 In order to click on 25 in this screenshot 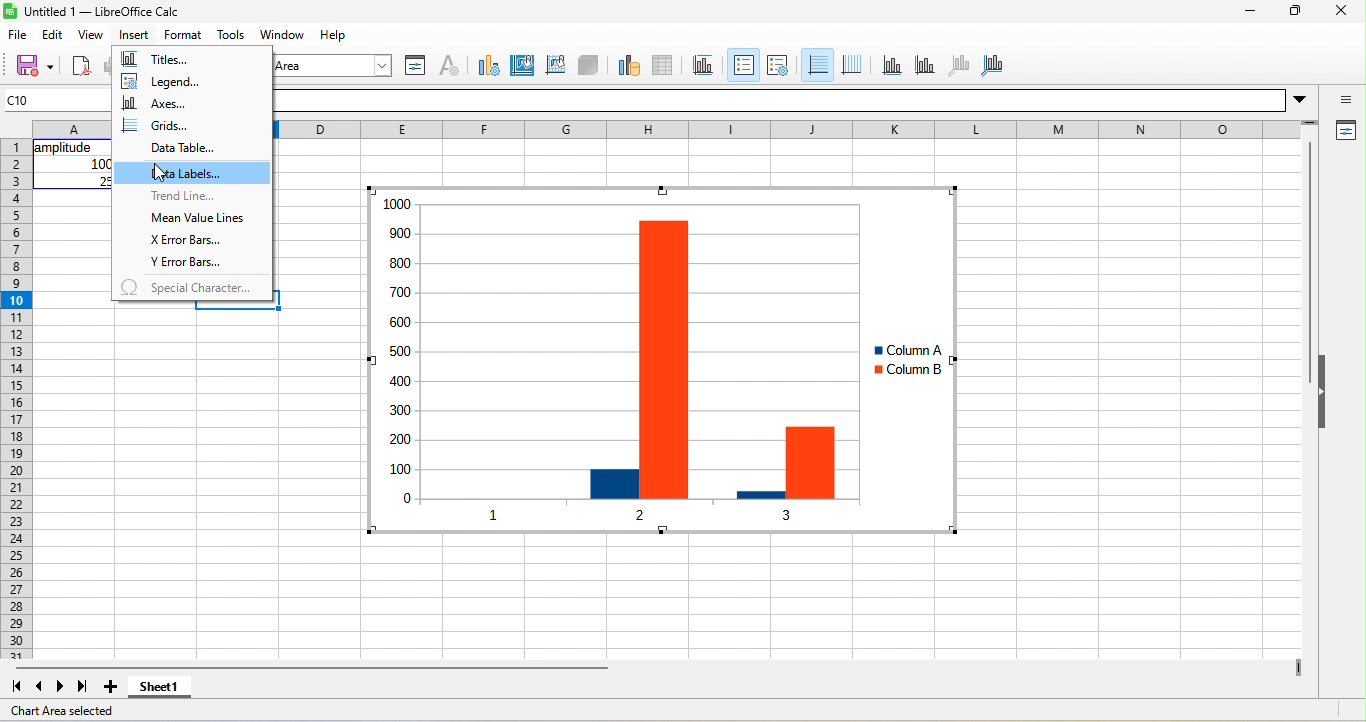, I will do `click(104, 181)`.